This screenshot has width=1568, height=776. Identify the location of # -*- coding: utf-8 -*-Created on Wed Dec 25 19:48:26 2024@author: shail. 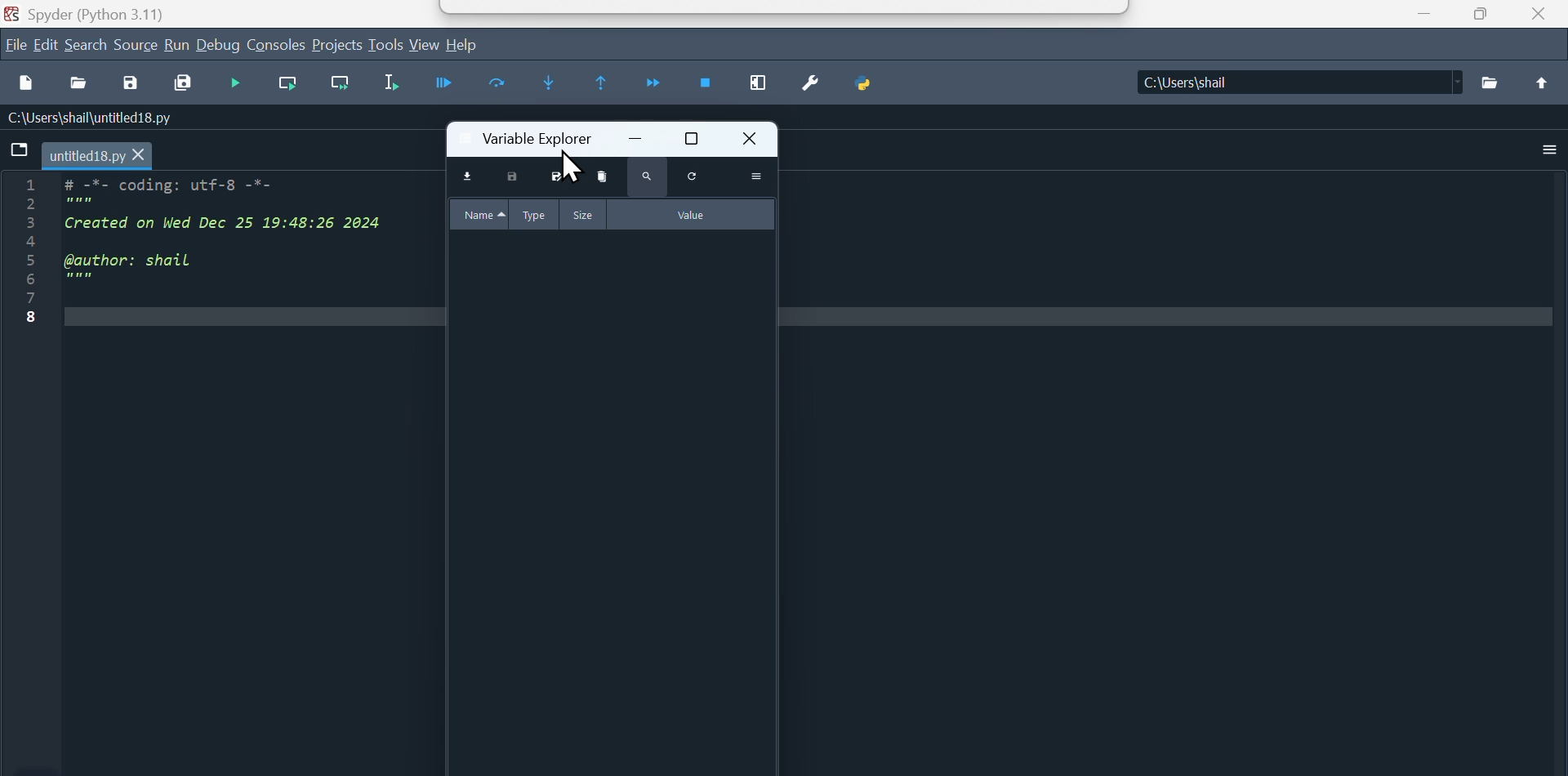
(246, 270).